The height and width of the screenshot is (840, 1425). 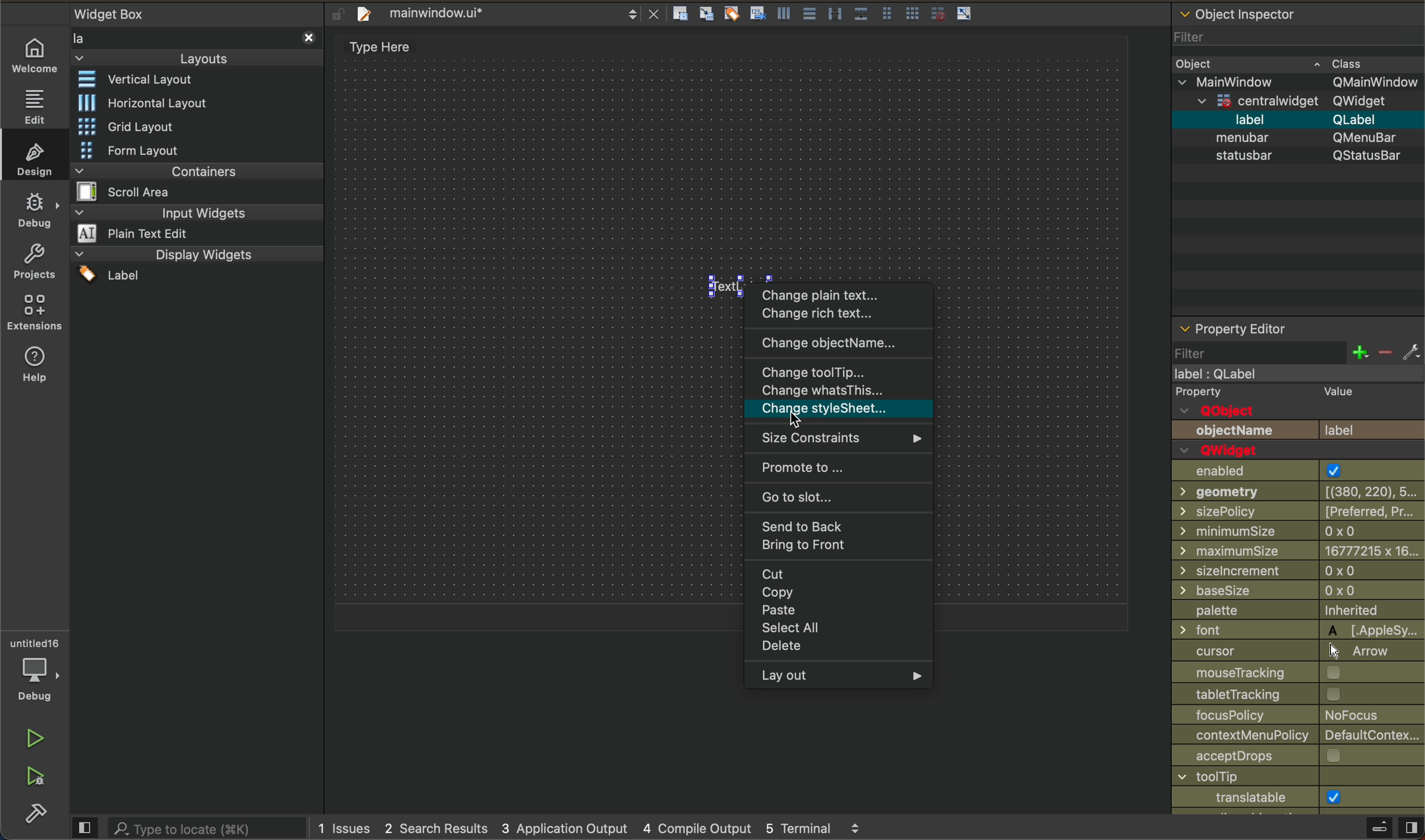 I want to click on issues, so click(x=346, y=828).